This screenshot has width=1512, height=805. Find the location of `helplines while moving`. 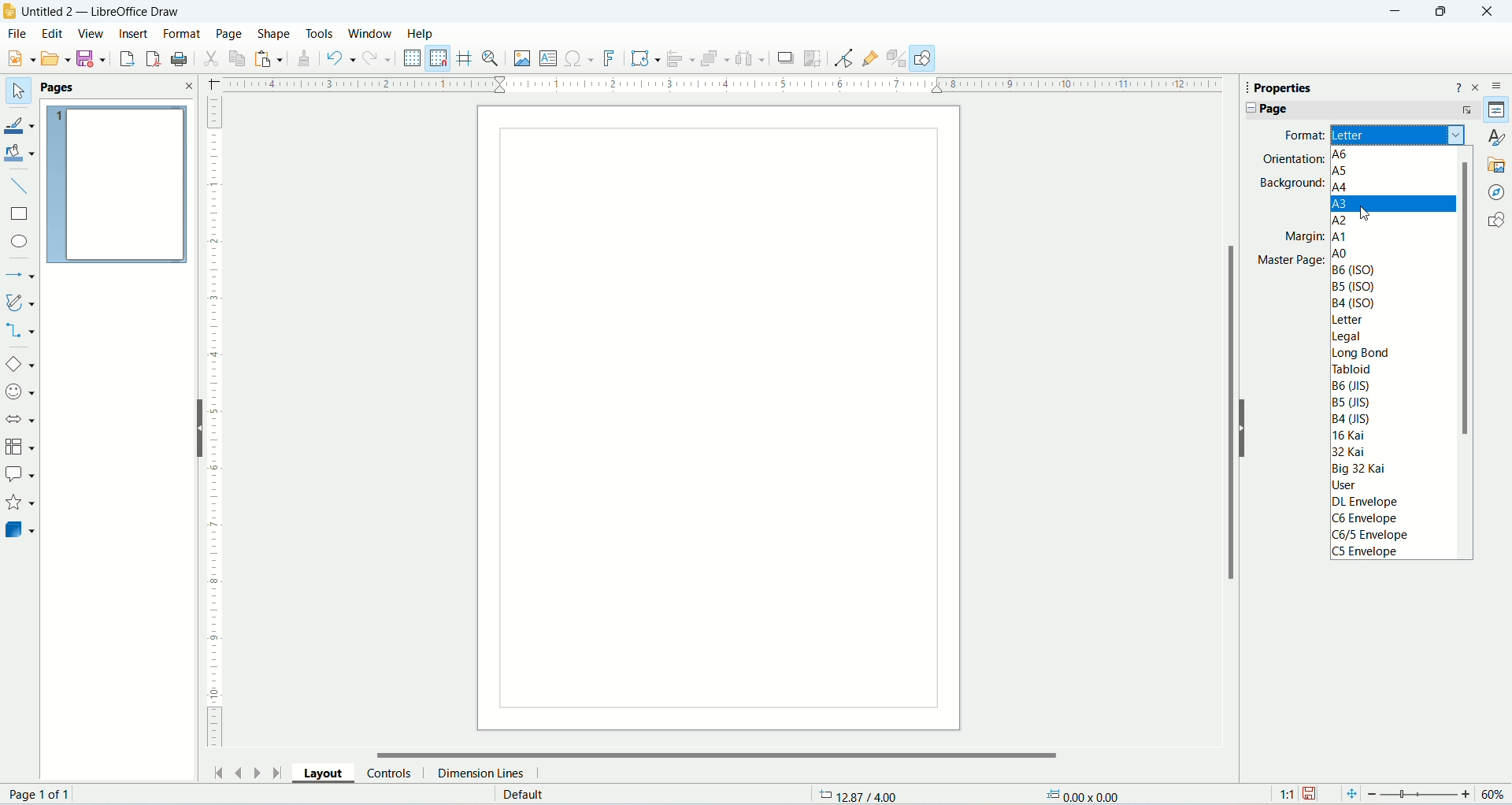

helplines while moving is located at coordinates (465, 57).